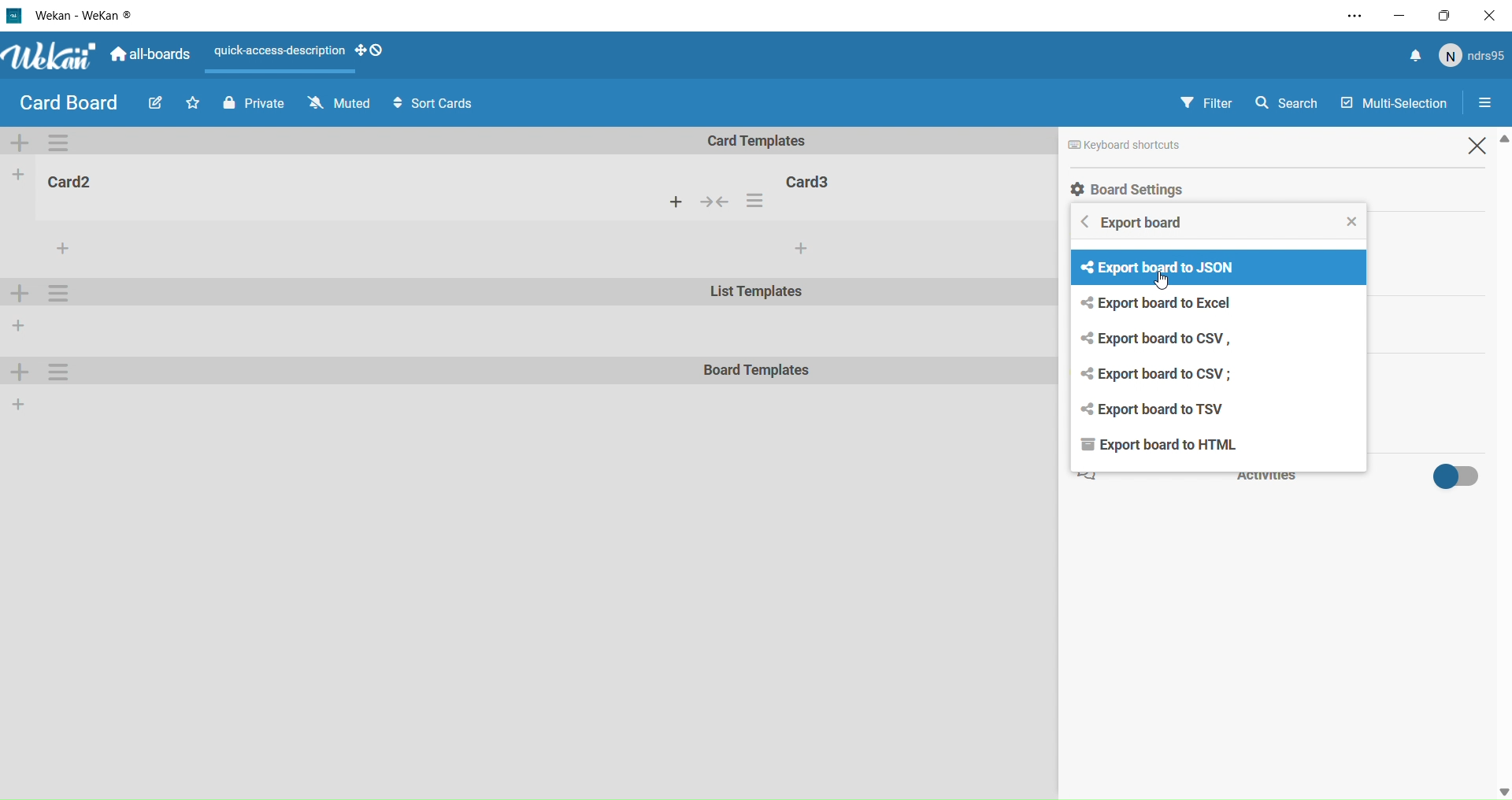  I want to click on Users, so click(1475, 57).